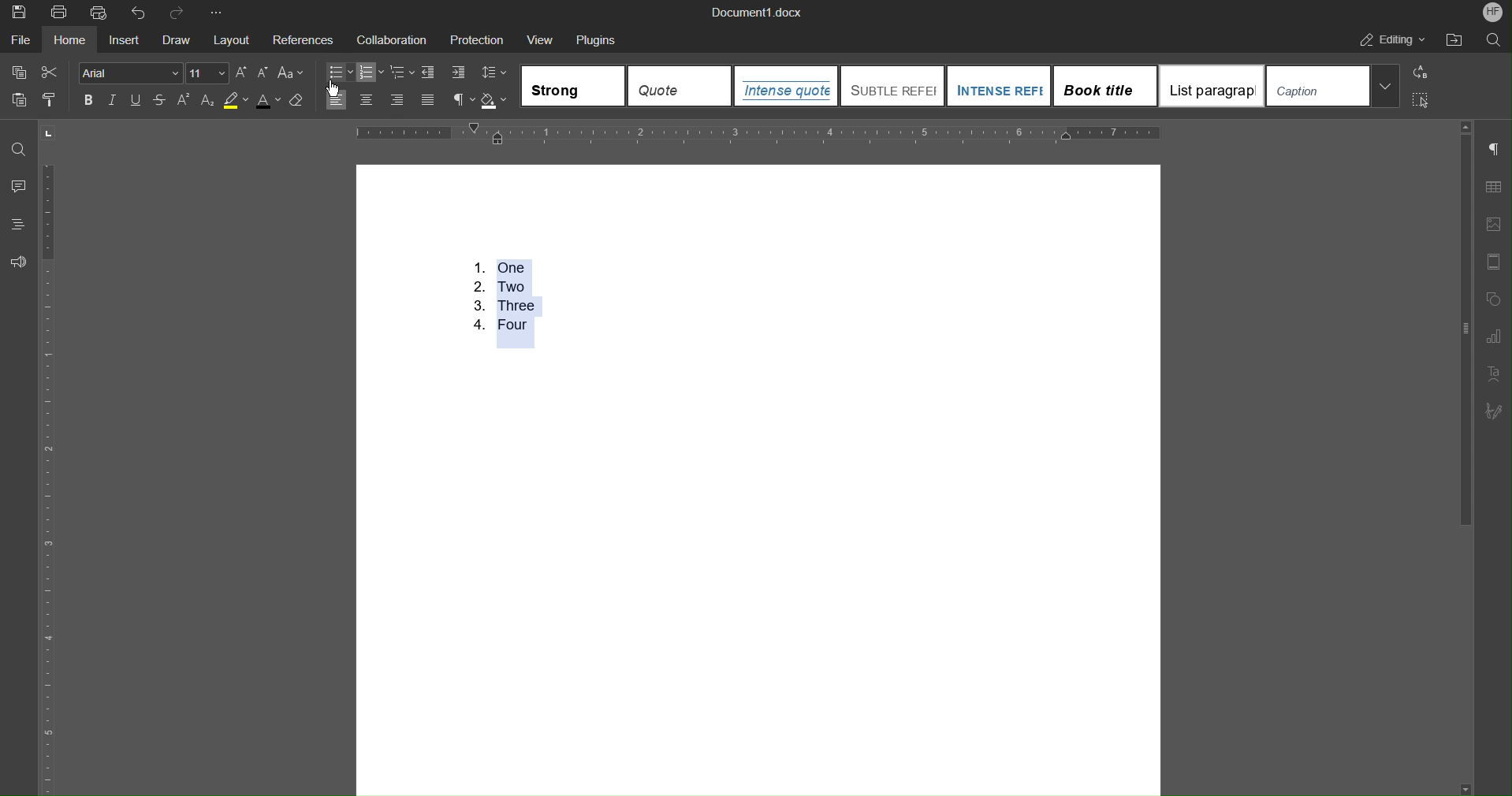 Image resolution: width=1512 pixels, height=796 pixels. Describe the element at coordinates (542, 38) in the screenshot. I see `View` at that location.